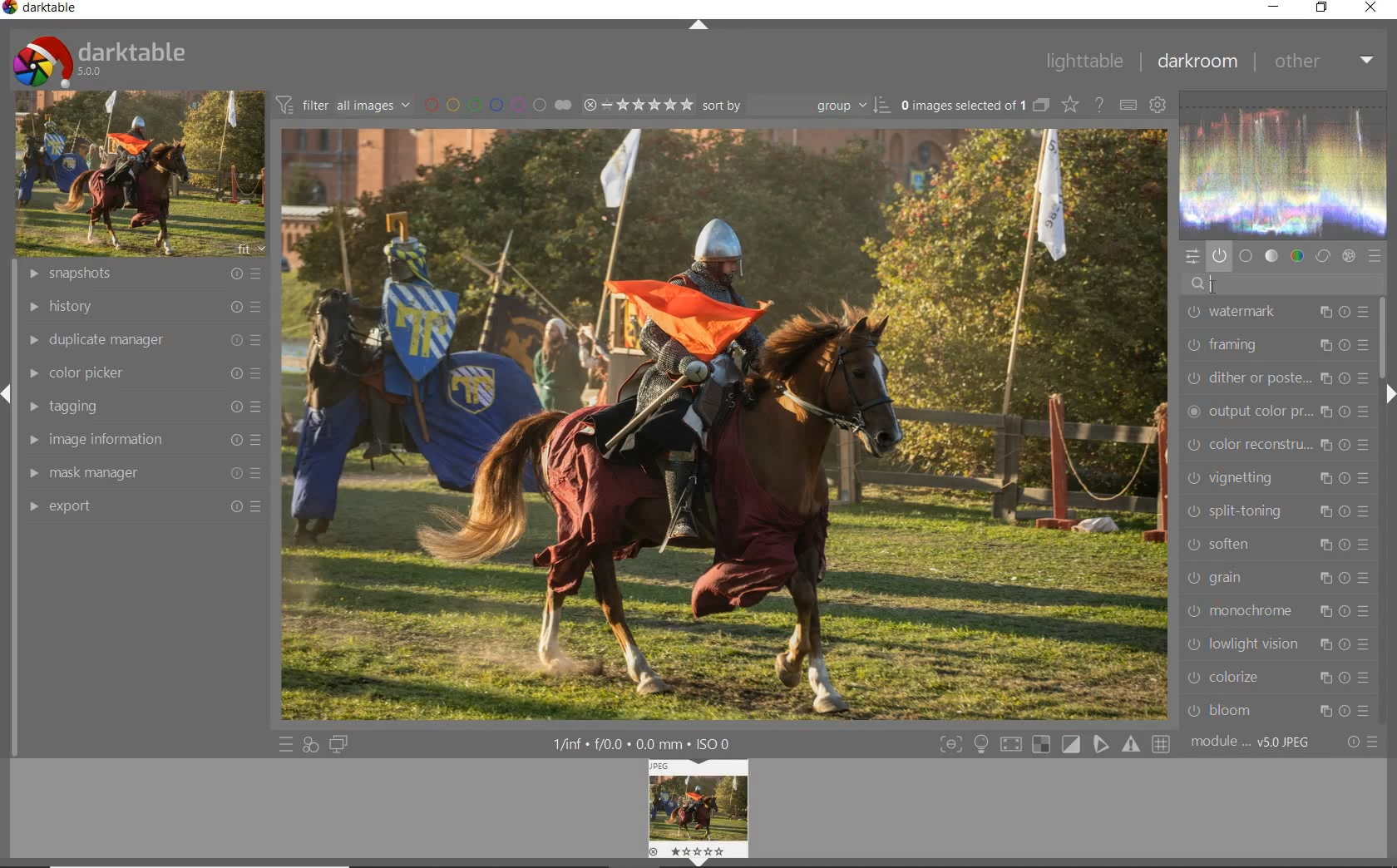 The image size is (1397, 868). I want to click on color reconstruction, so click(1277, 445).